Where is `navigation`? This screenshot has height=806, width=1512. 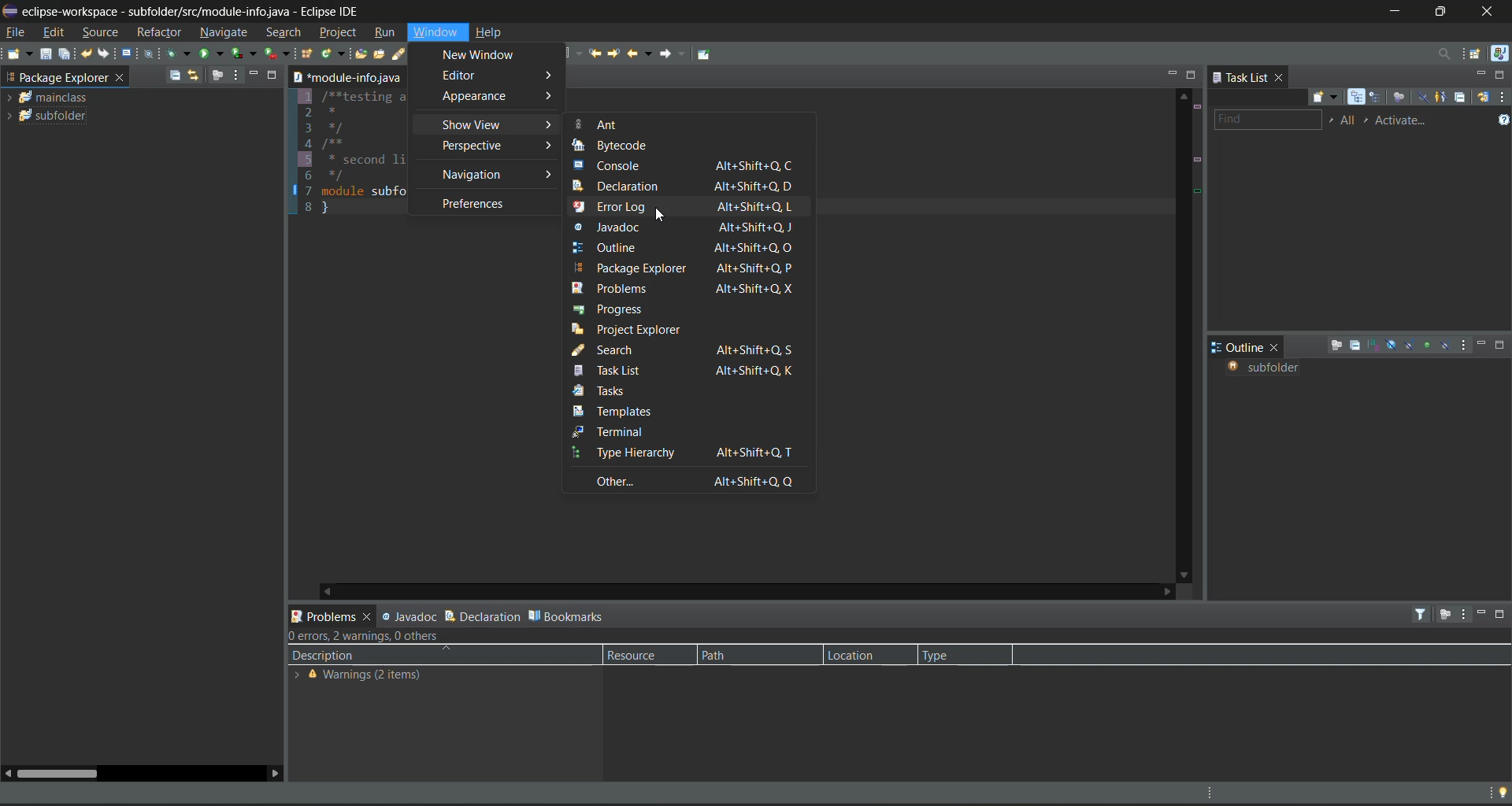
navigation is located at coordinates (497, 175).